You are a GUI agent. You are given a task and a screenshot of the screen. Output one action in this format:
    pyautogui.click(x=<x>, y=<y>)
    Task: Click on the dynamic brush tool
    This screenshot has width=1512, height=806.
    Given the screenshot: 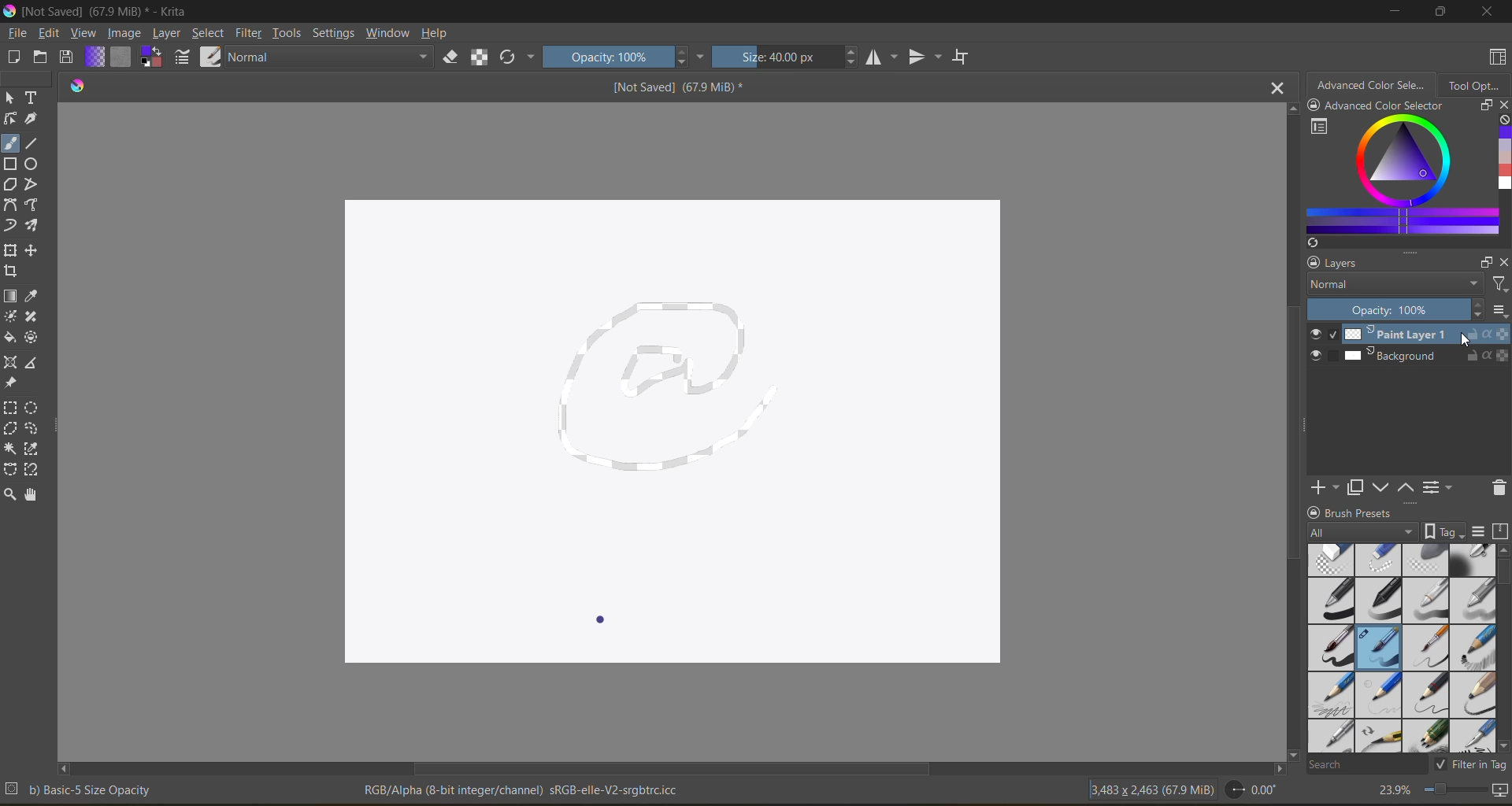 What is the action you would take?
    pyautogui.click(x=10, y=225)
    